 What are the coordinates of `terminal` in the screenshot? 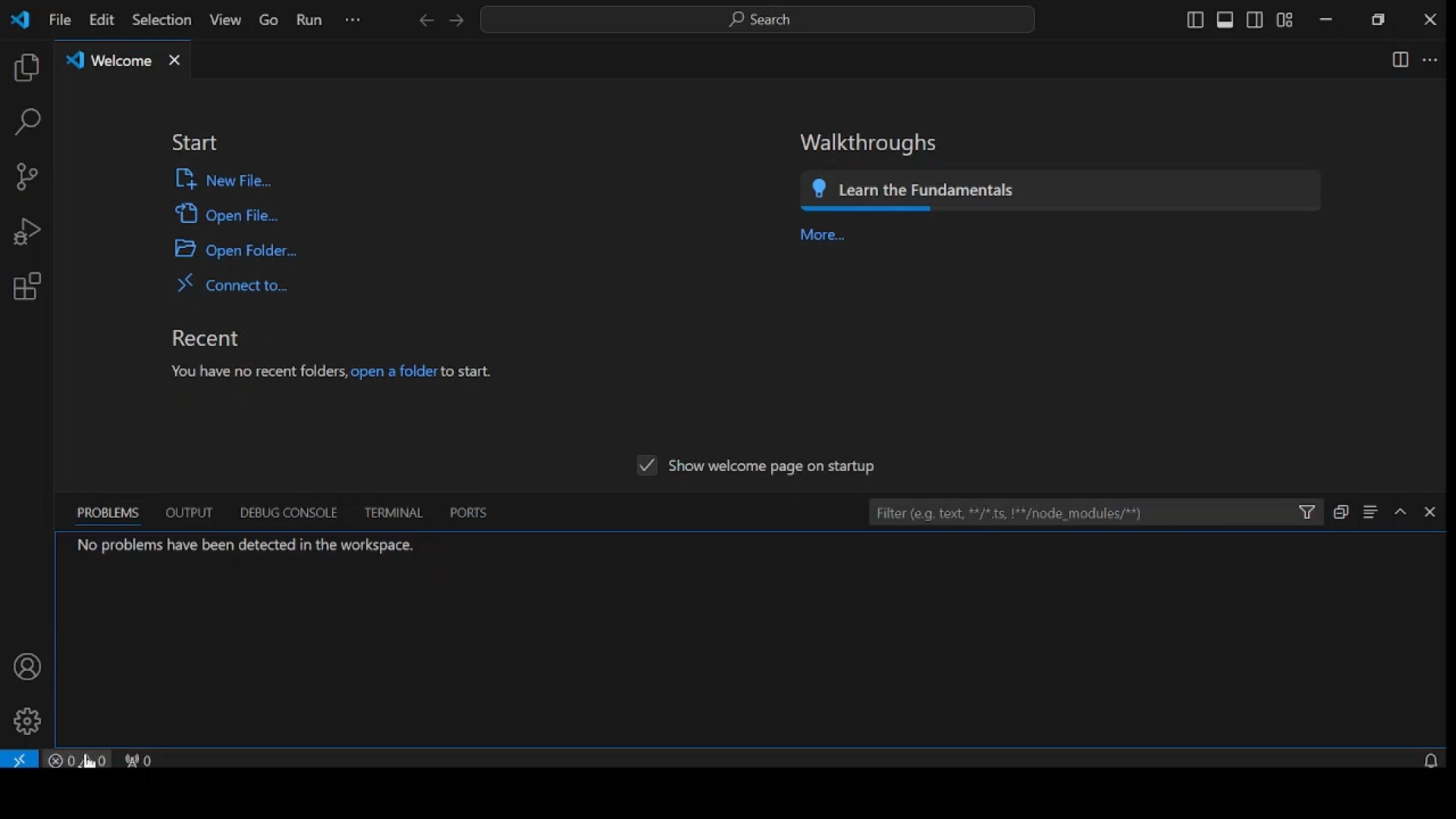 It's located at (397, 512).